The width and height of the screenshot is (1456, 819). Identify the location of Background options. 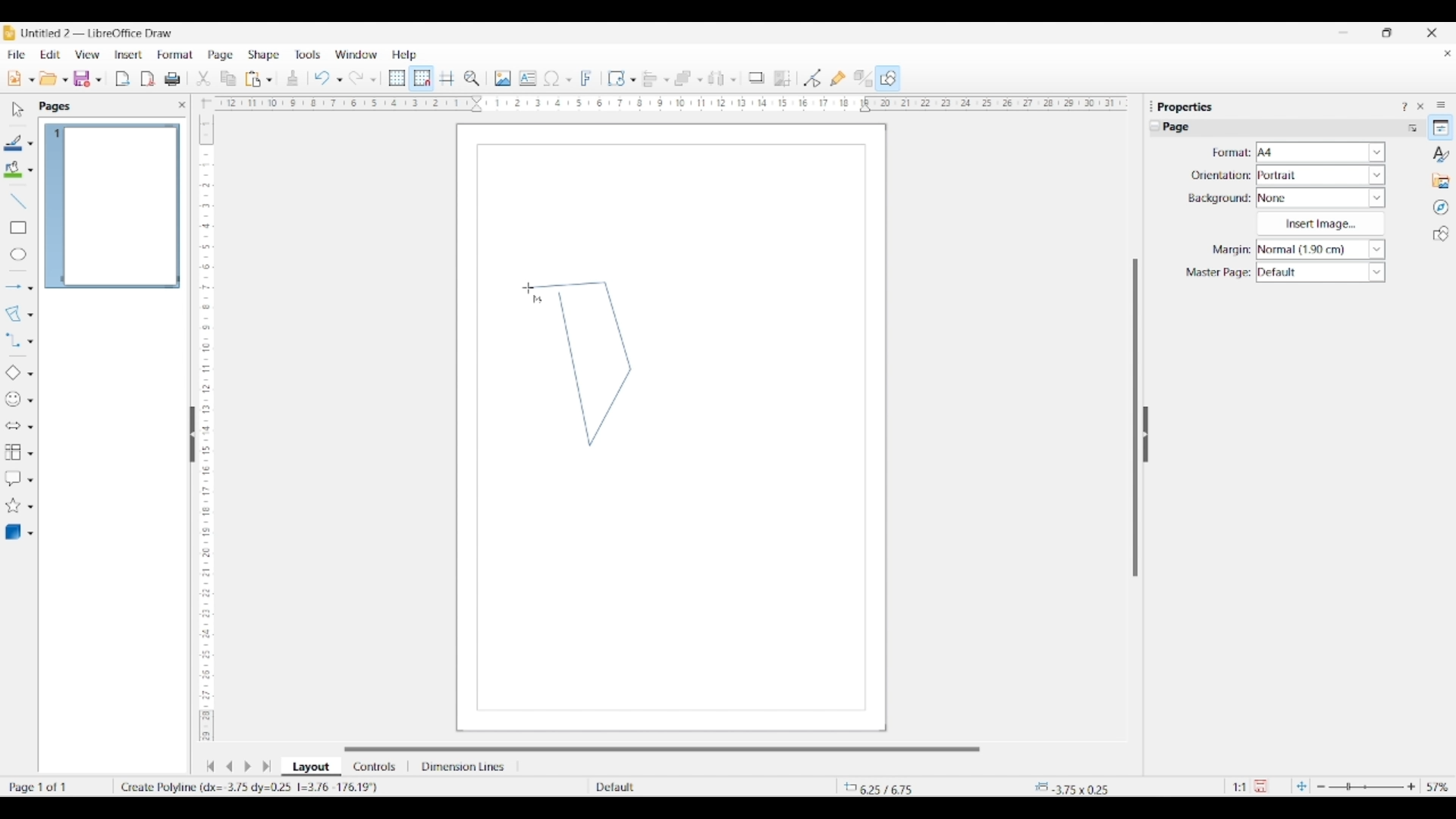
(1321, 198).